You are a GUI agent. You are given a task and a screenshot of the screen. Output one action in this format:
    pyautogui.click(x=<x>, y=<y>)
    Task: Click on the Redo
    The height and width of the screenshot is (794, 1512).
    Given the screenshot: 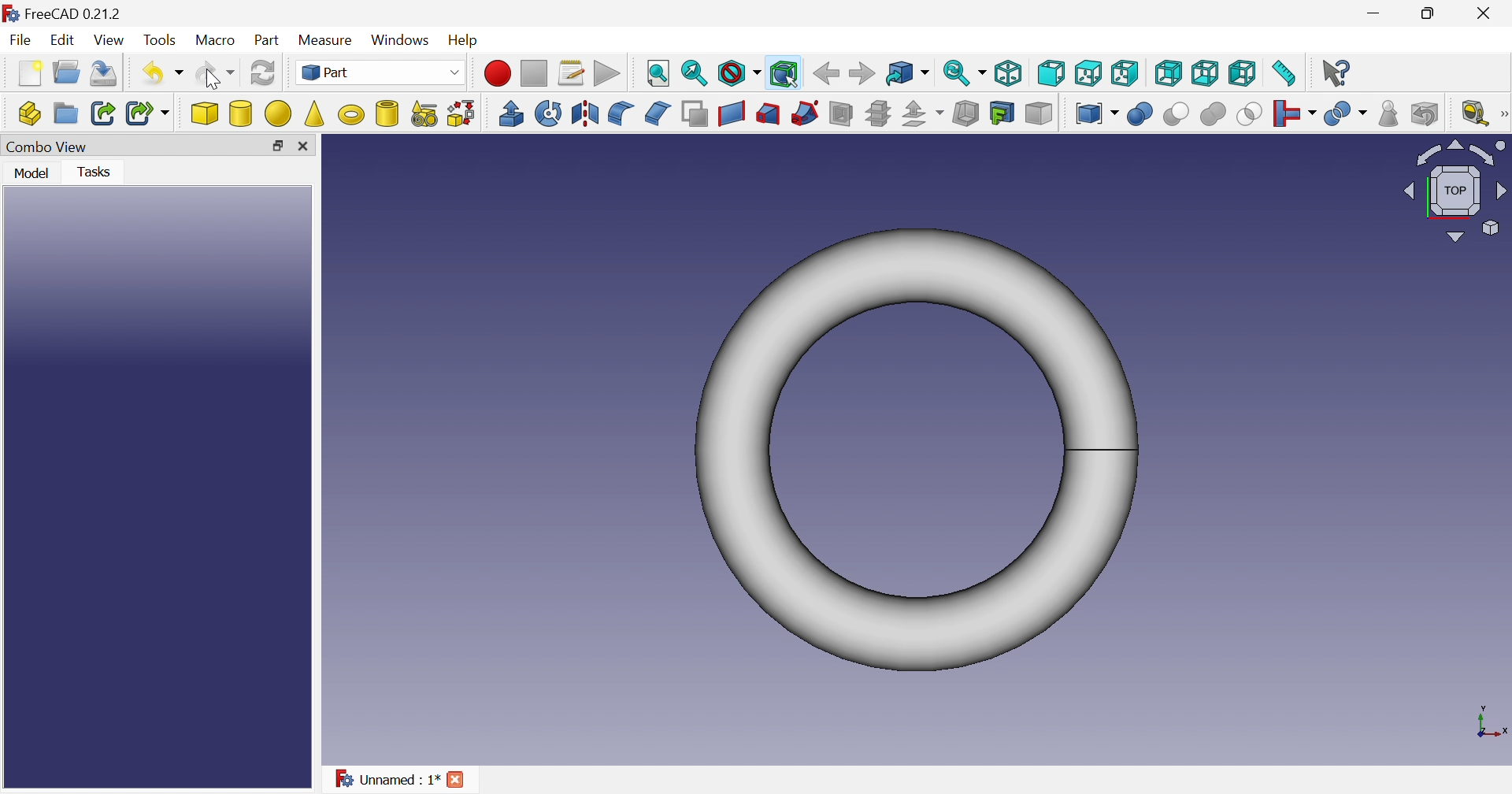 What is the action you would take?
    pyautogui.click(x=214, y=72)
    